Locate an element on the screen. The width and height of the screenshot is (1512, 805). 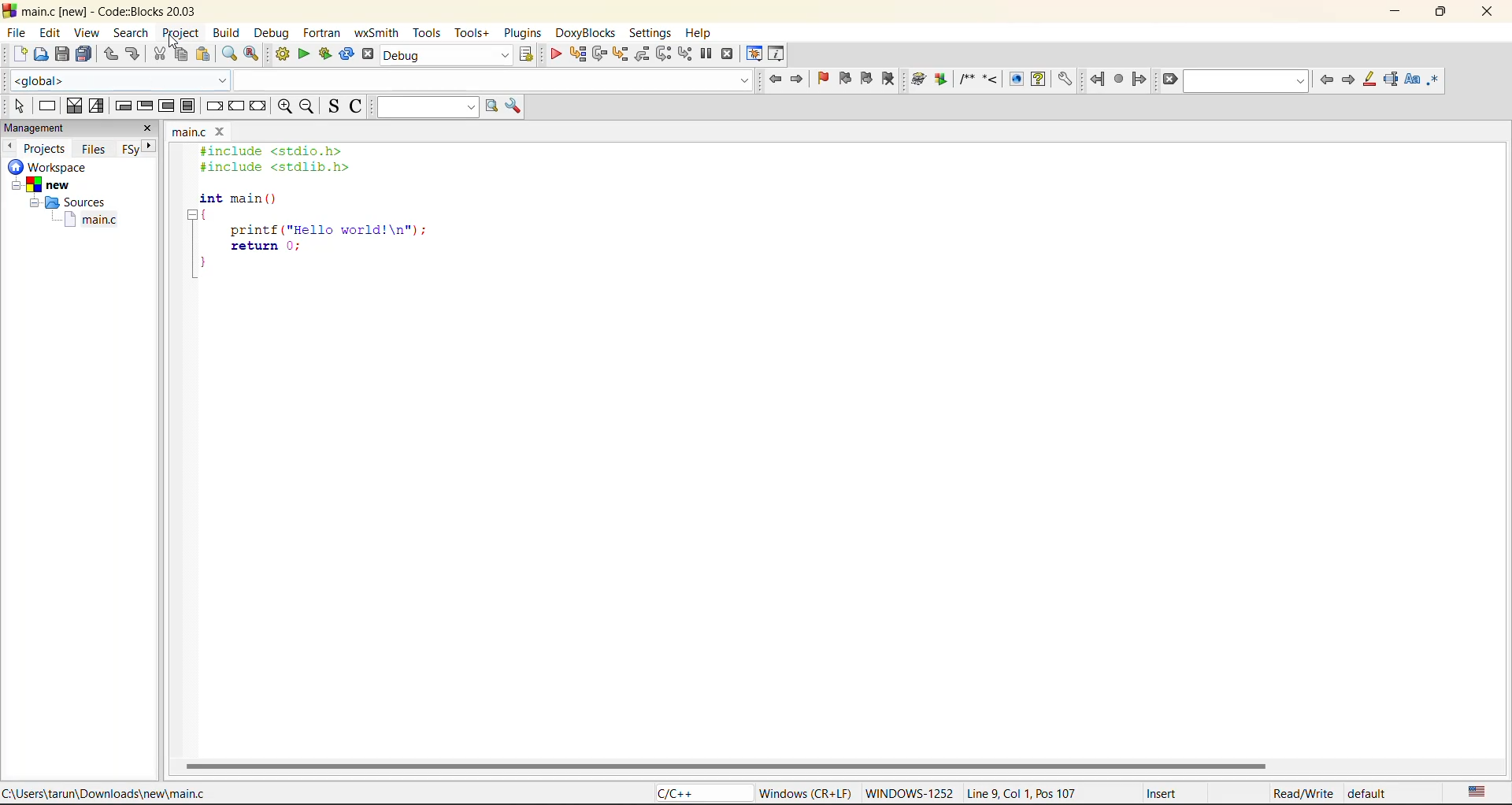
wxsmith is located at coordinates (376, 32).